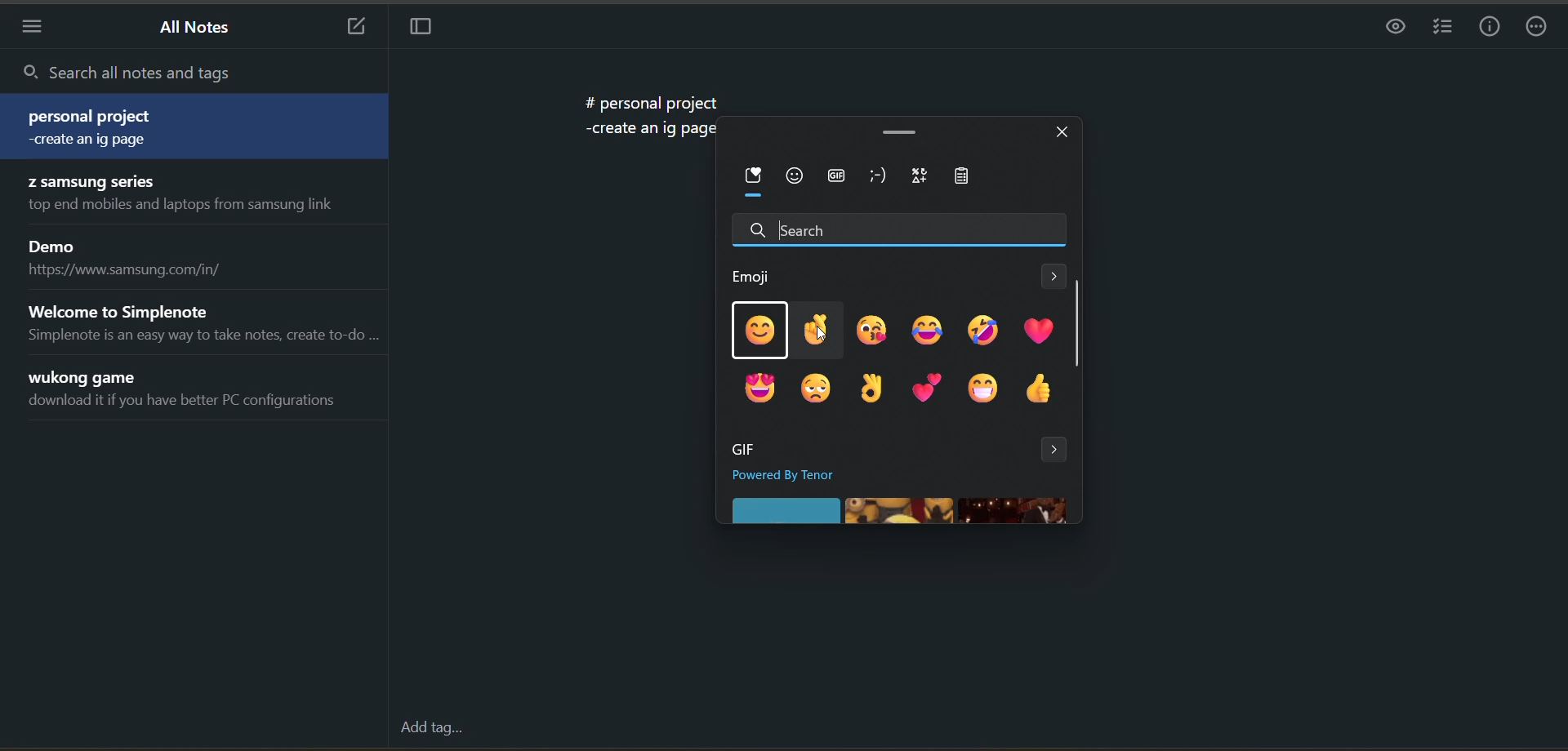 The image size is (1568, 751). I want to click on emoji 10, so click(930, 388).